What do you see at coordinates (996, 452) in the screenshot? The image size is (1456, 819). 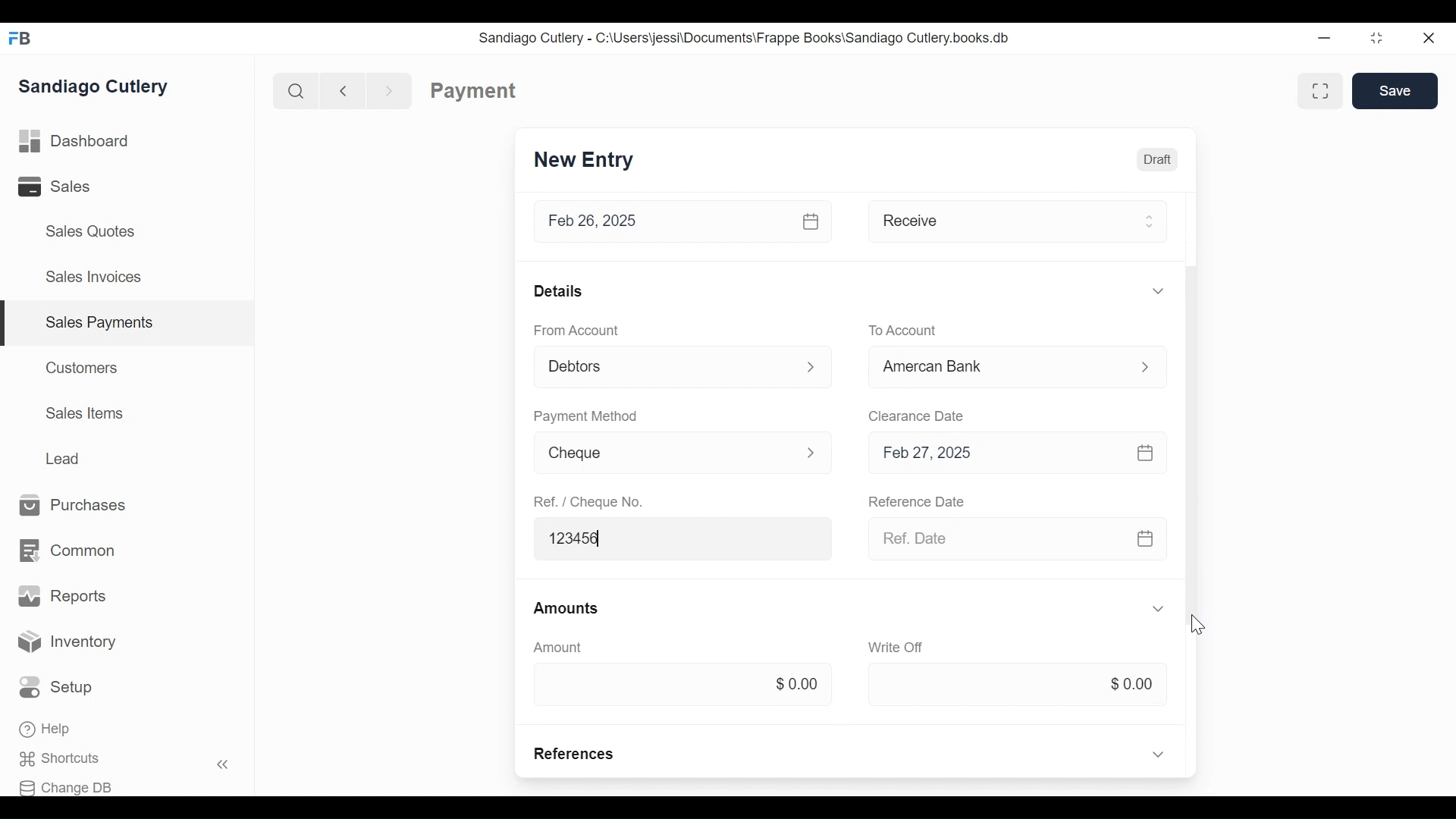 I see `Feb 27, 2025` at bounding box center [996, 452].